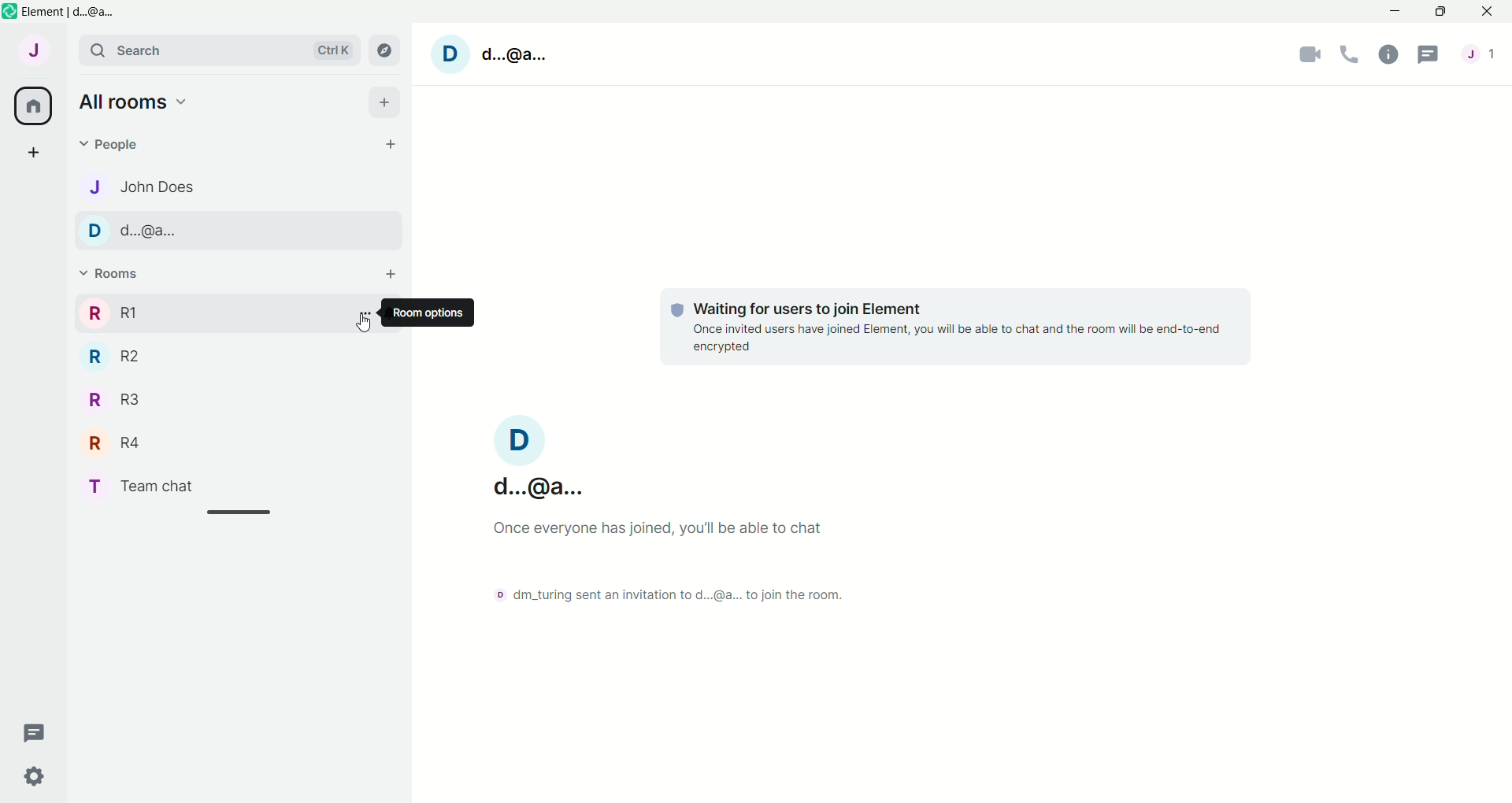  Describe the element at coordinates (496, 53) in the screenshot. I see `D d.@a.. profile` at that location.